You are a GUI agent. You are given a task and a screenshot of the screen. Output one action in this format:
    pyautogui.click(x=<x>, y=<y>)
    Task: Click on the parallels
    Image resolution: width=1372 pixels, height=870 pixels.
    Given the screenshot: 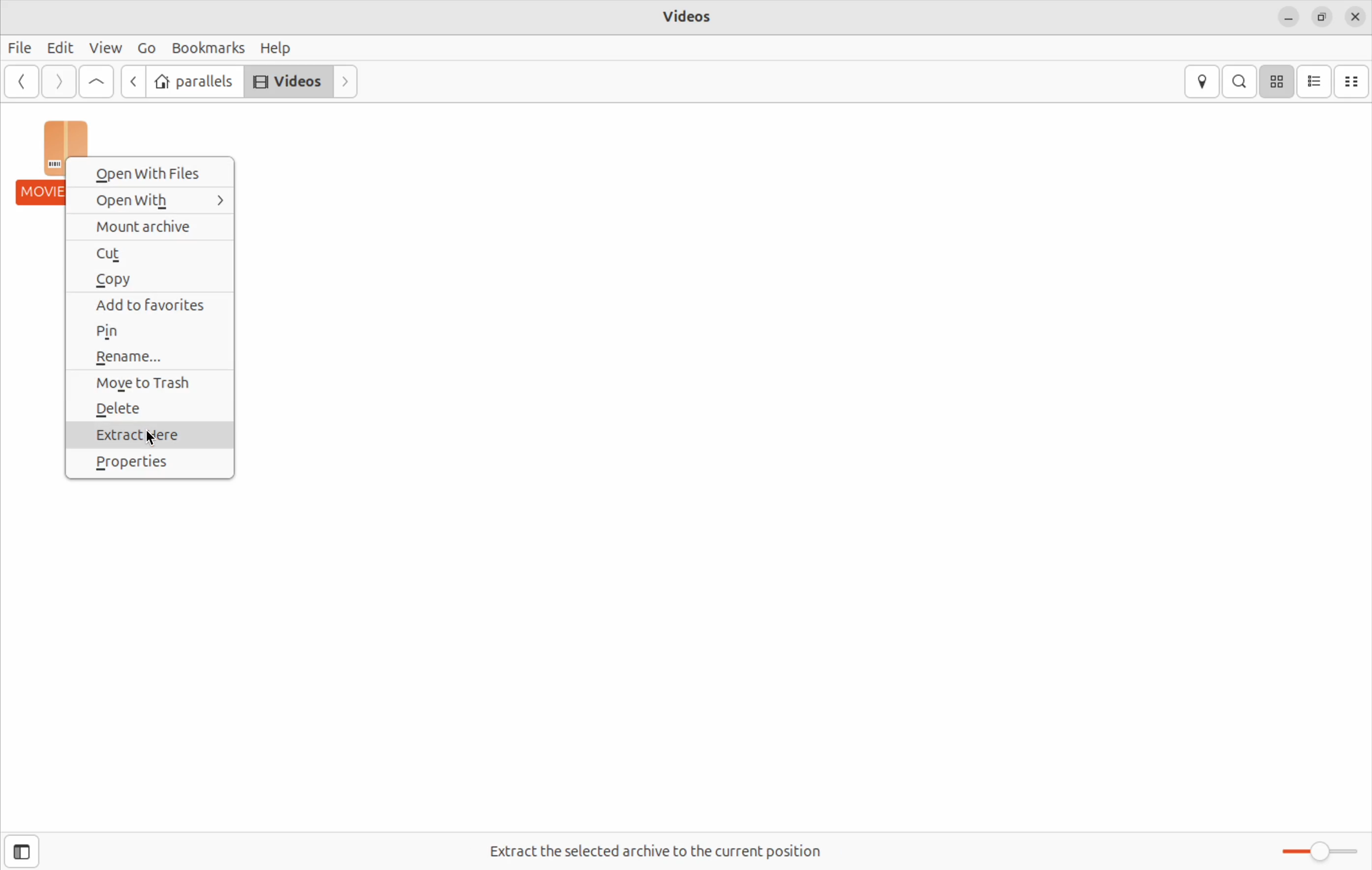 What is the action you would take?
    pyautogui.click(x=194, y=83)
    